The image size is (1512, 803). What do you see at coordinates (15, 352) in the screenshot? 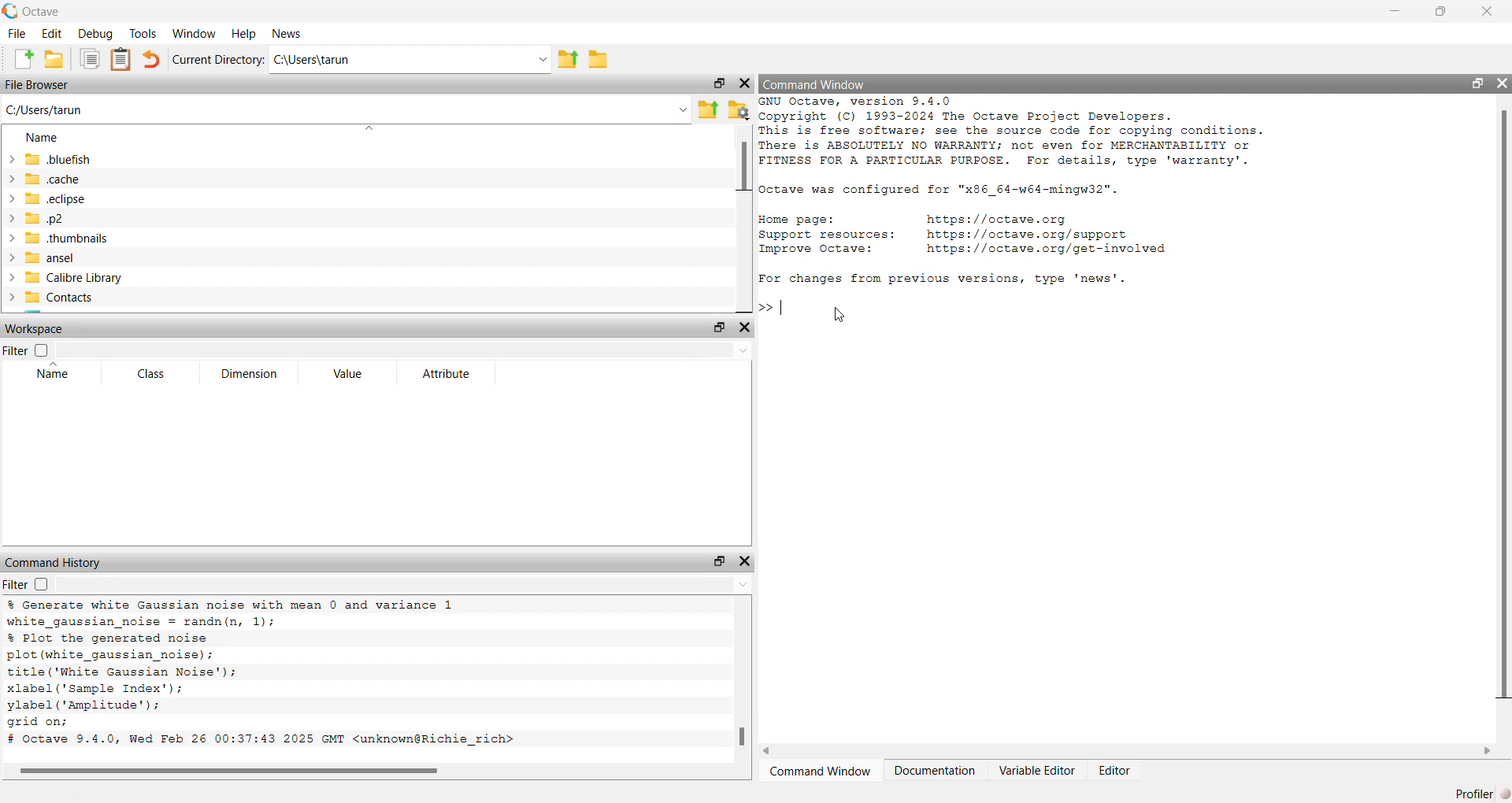
I see `Filter` at bounding box center [15, 352].